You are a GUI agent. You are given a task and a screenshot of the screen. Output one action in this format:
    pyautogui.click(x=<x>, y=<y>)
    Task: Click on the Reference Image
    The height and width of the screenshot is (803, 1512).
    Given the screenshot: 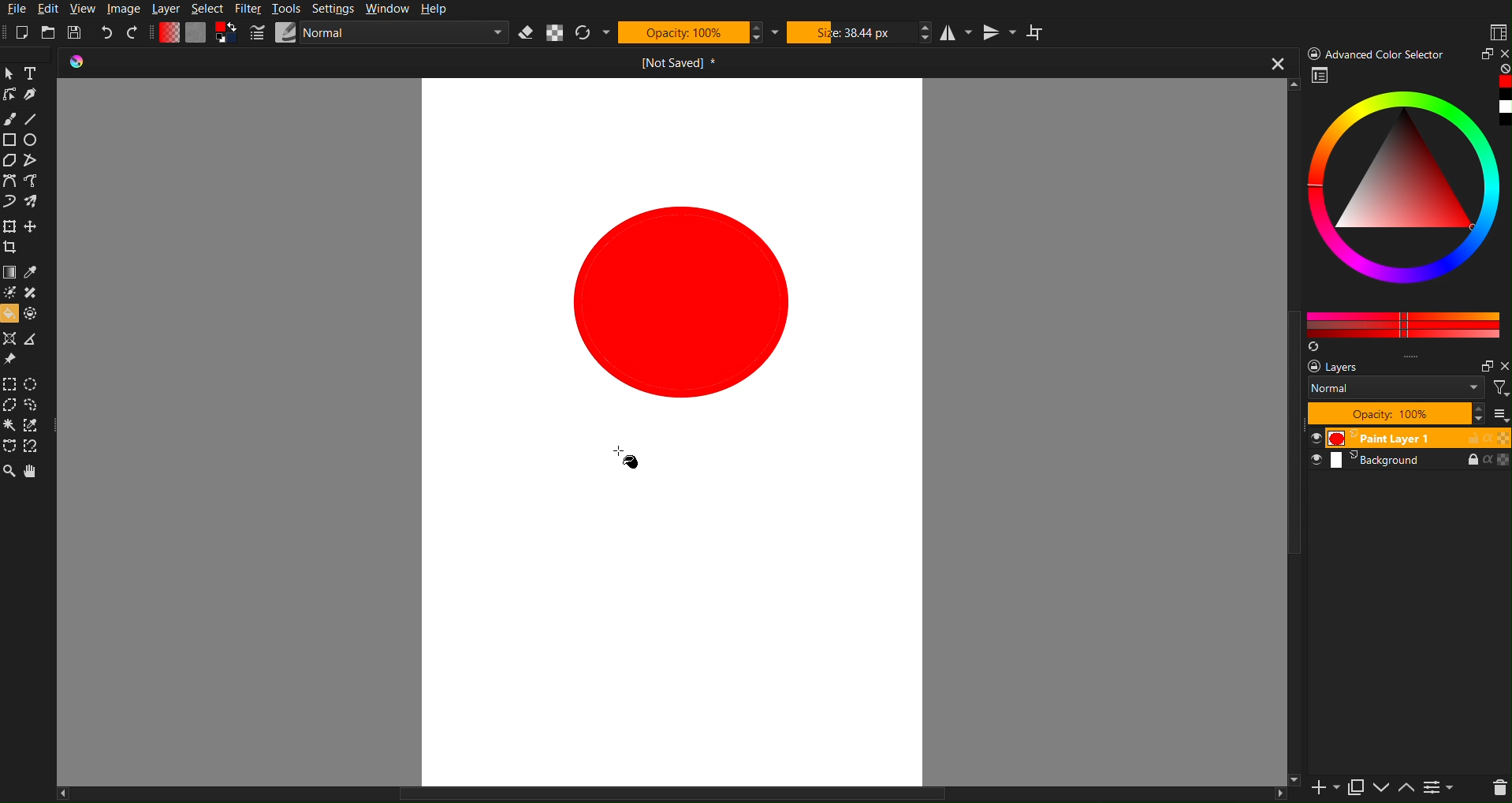 What is the action you would take?
    pyautogui.click(x=9, y=360)
    